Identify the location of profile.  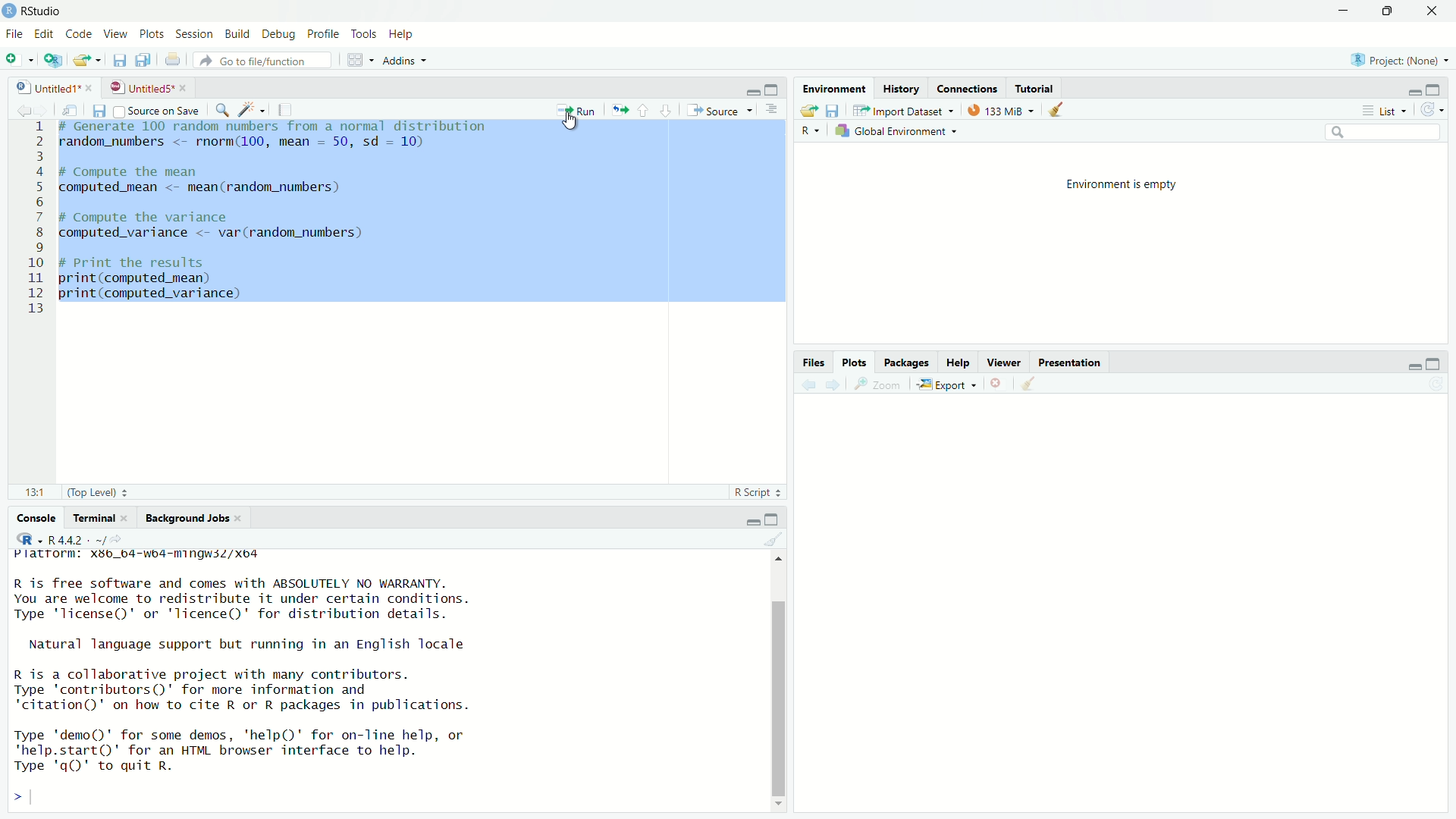
(325, 32).